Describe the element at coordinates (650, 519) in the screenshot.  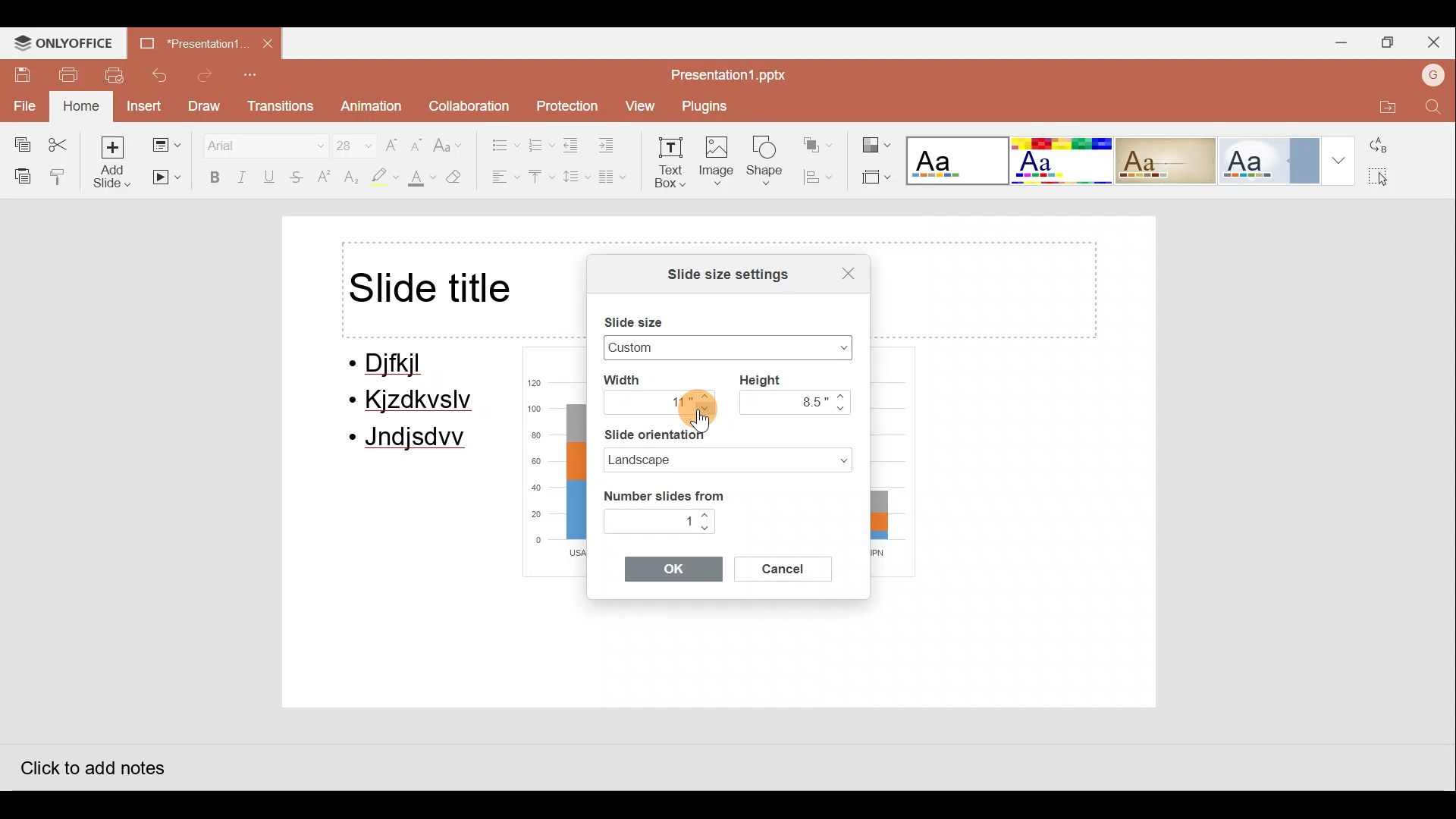
I see `1` at that location.